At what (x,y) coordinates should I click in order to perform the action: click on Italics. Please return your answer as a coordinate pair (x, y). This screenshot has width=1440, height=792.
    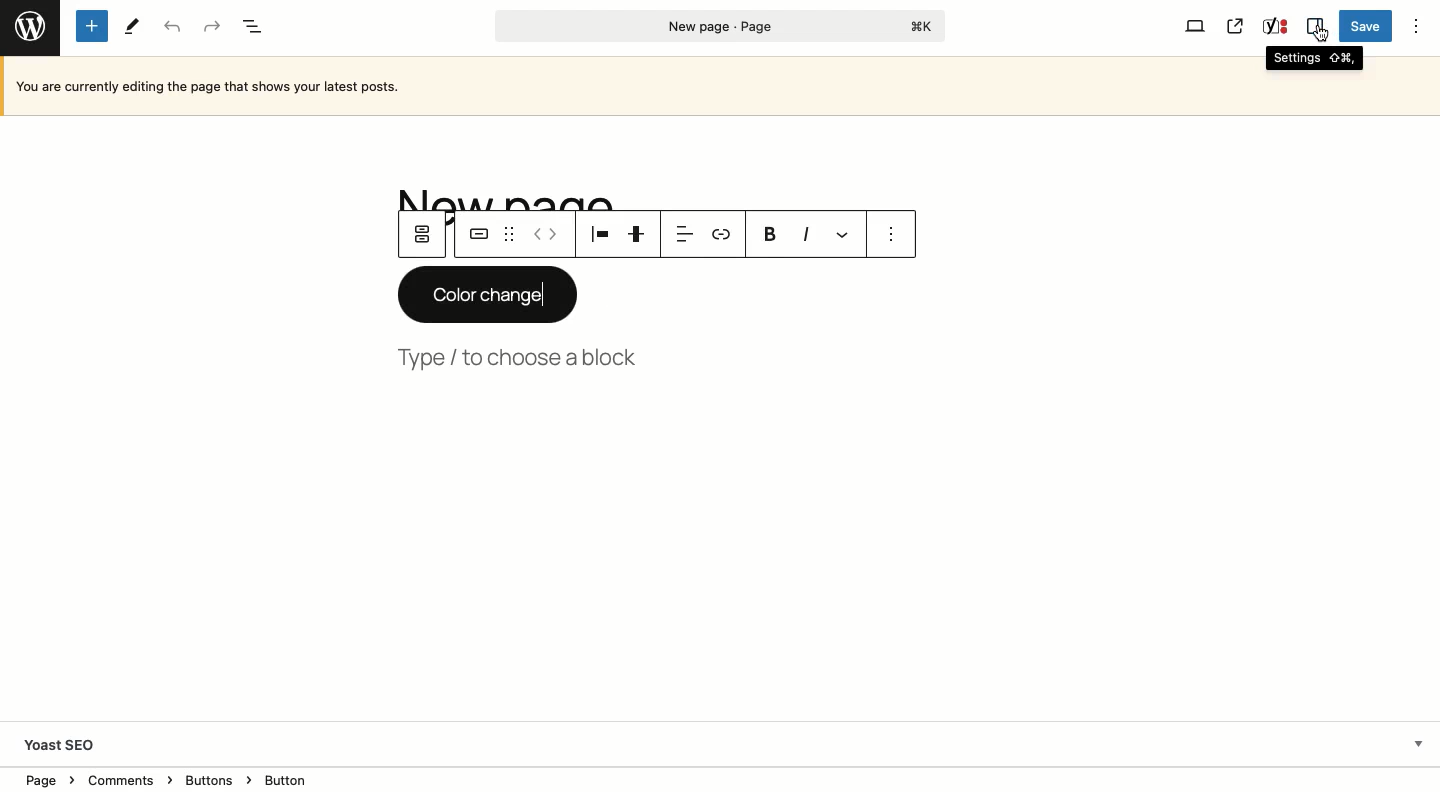
    Looking at the image, I should click on (806, 233).